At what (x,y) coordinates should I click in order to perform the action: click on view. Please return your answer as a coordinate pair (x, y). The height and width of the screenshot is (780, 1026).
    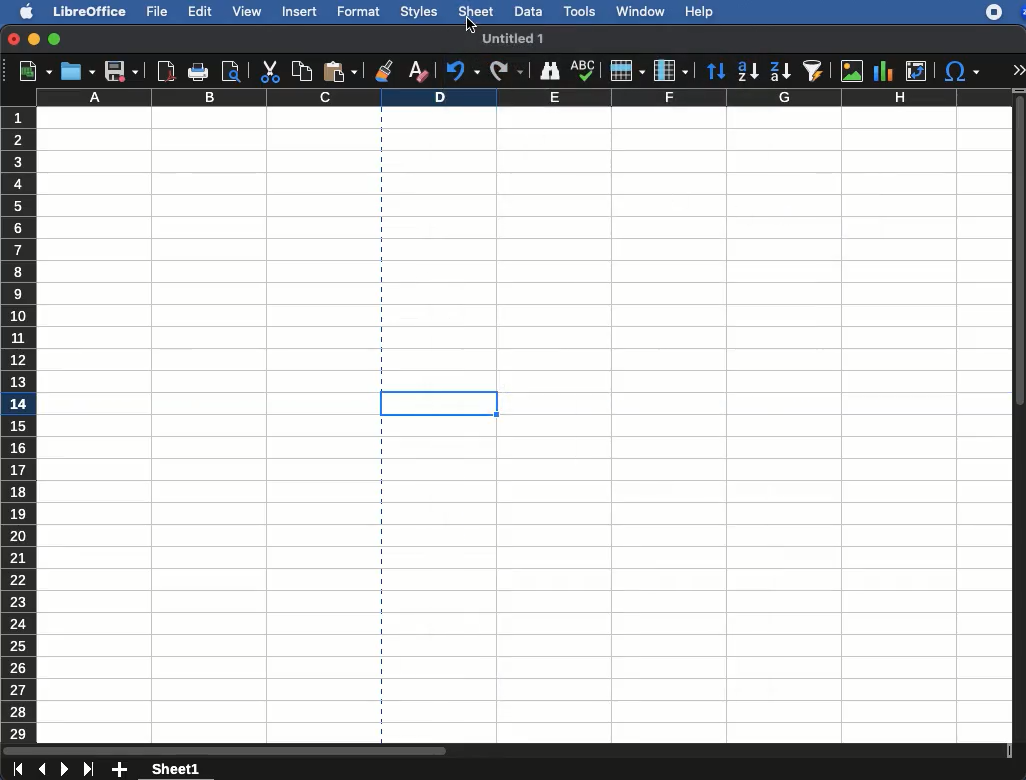
    Looking at the image, I should click on (244, 14).